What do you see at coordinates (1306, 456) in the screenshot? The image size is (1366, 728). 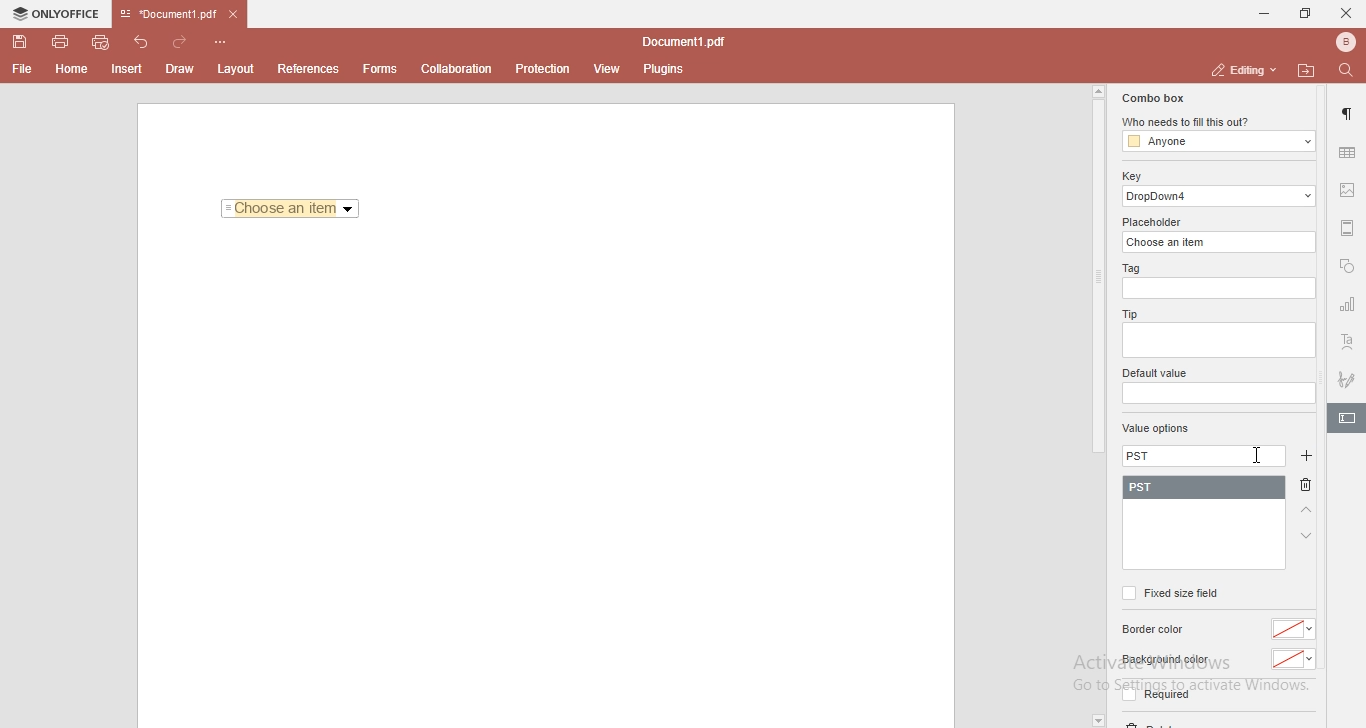 I see `highlighted add button` at bounding box center [1306, 456].